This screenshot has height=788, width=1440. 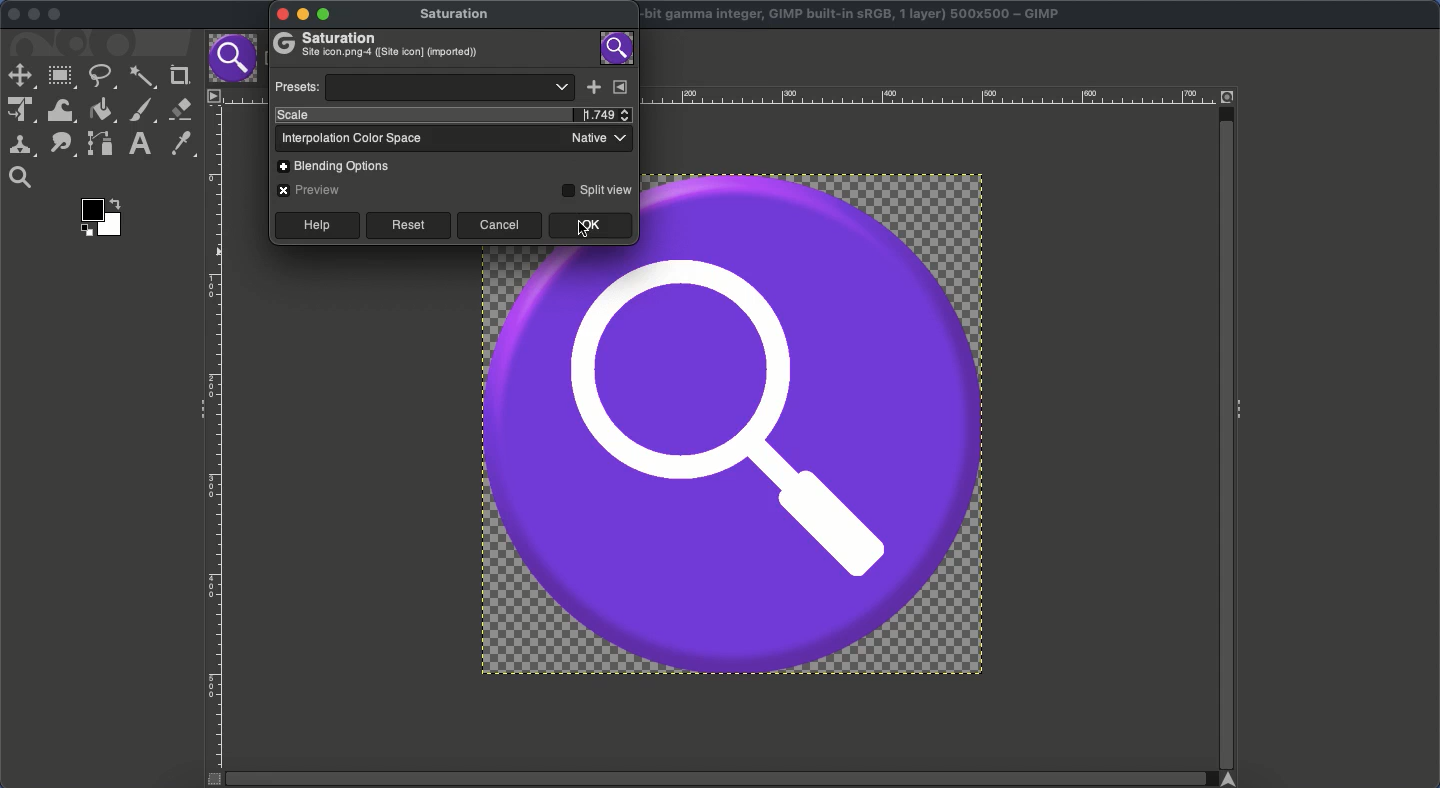 I want to click on Scale, so click(x=415, y=114).